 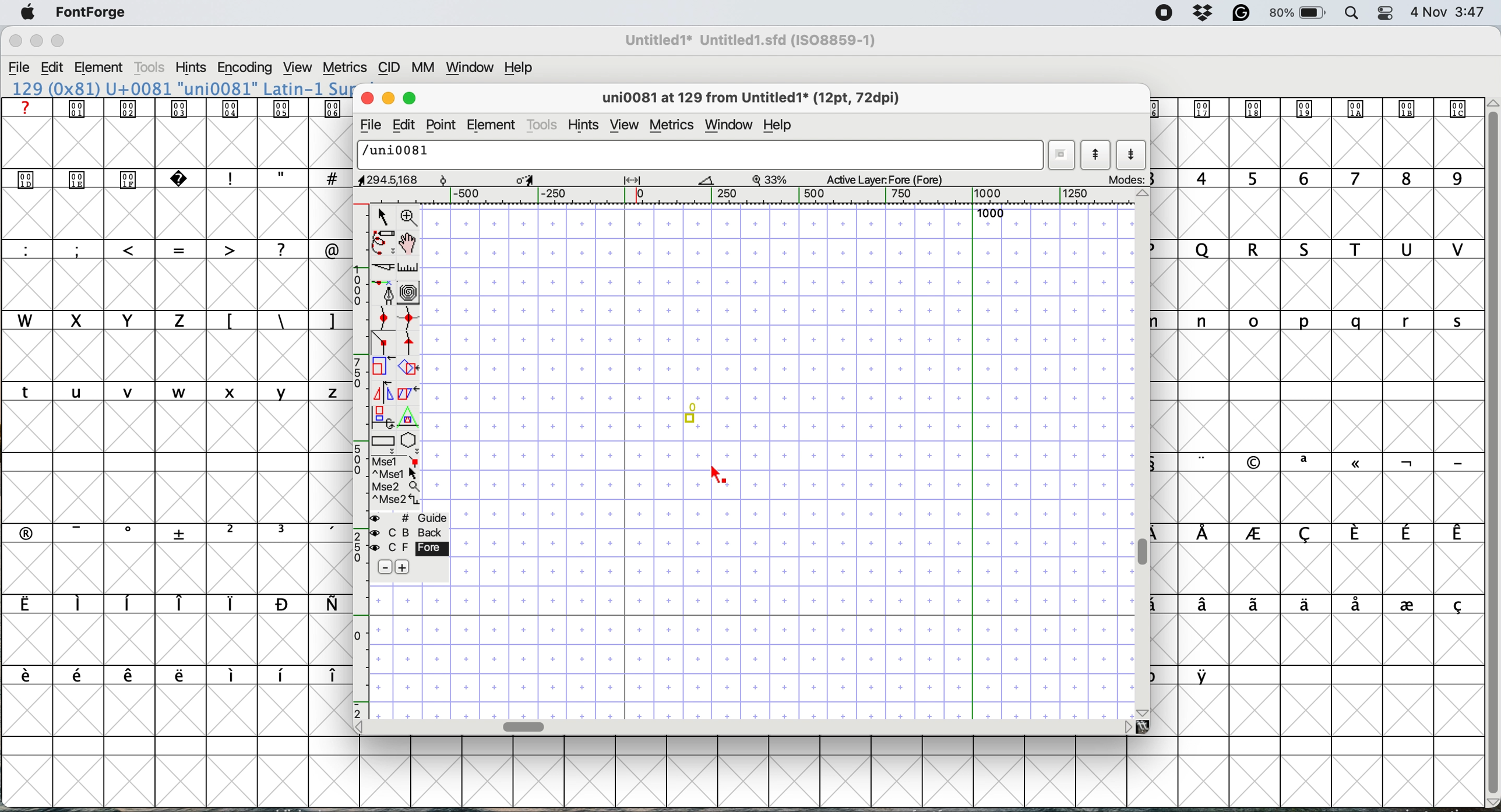 What do you see at coordinates (398, 482) in the screenshot?
I see `selections` at bounding box center [398, 482].